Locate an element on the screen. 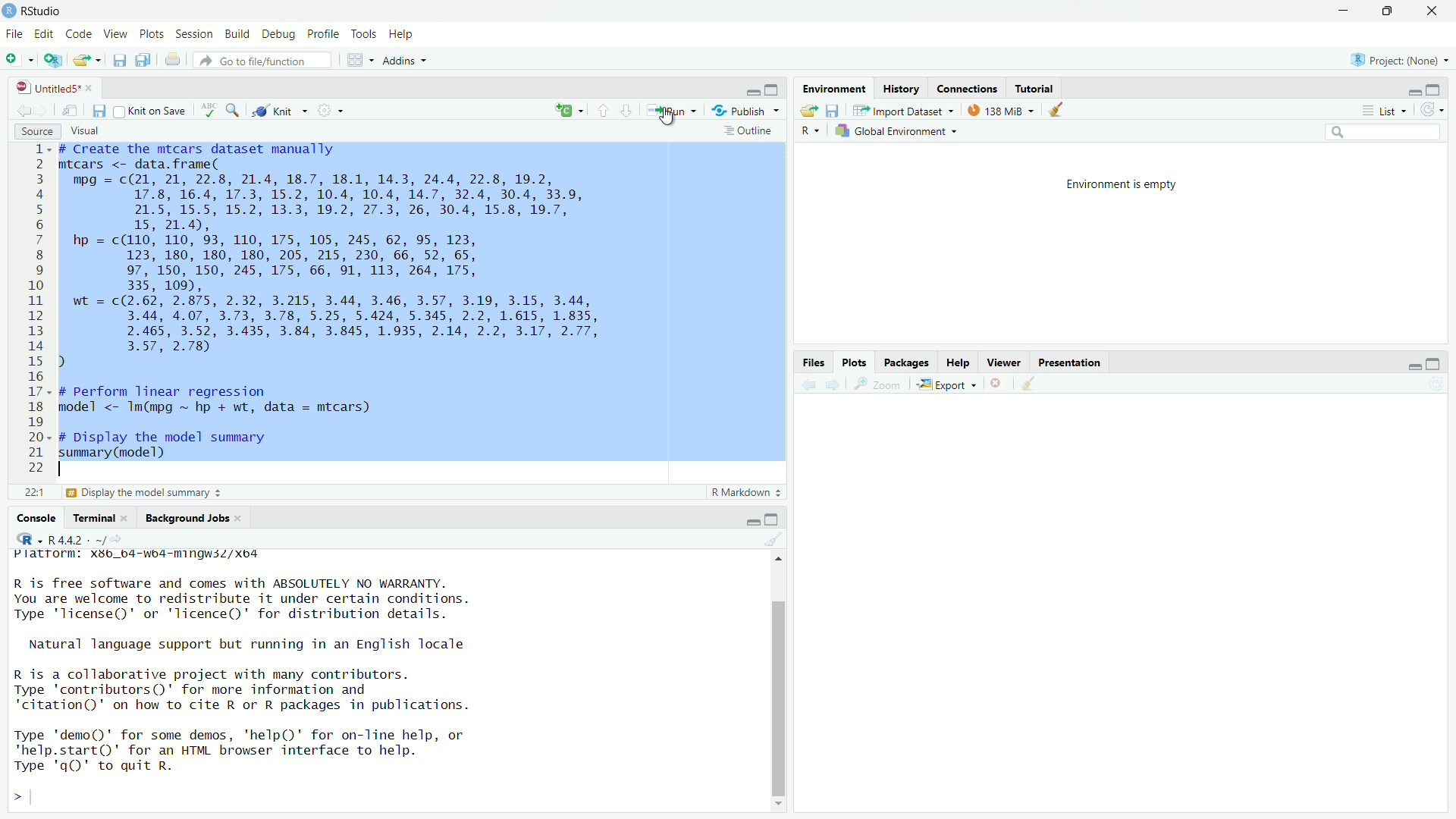  tools is located at coordinates (362, 33).